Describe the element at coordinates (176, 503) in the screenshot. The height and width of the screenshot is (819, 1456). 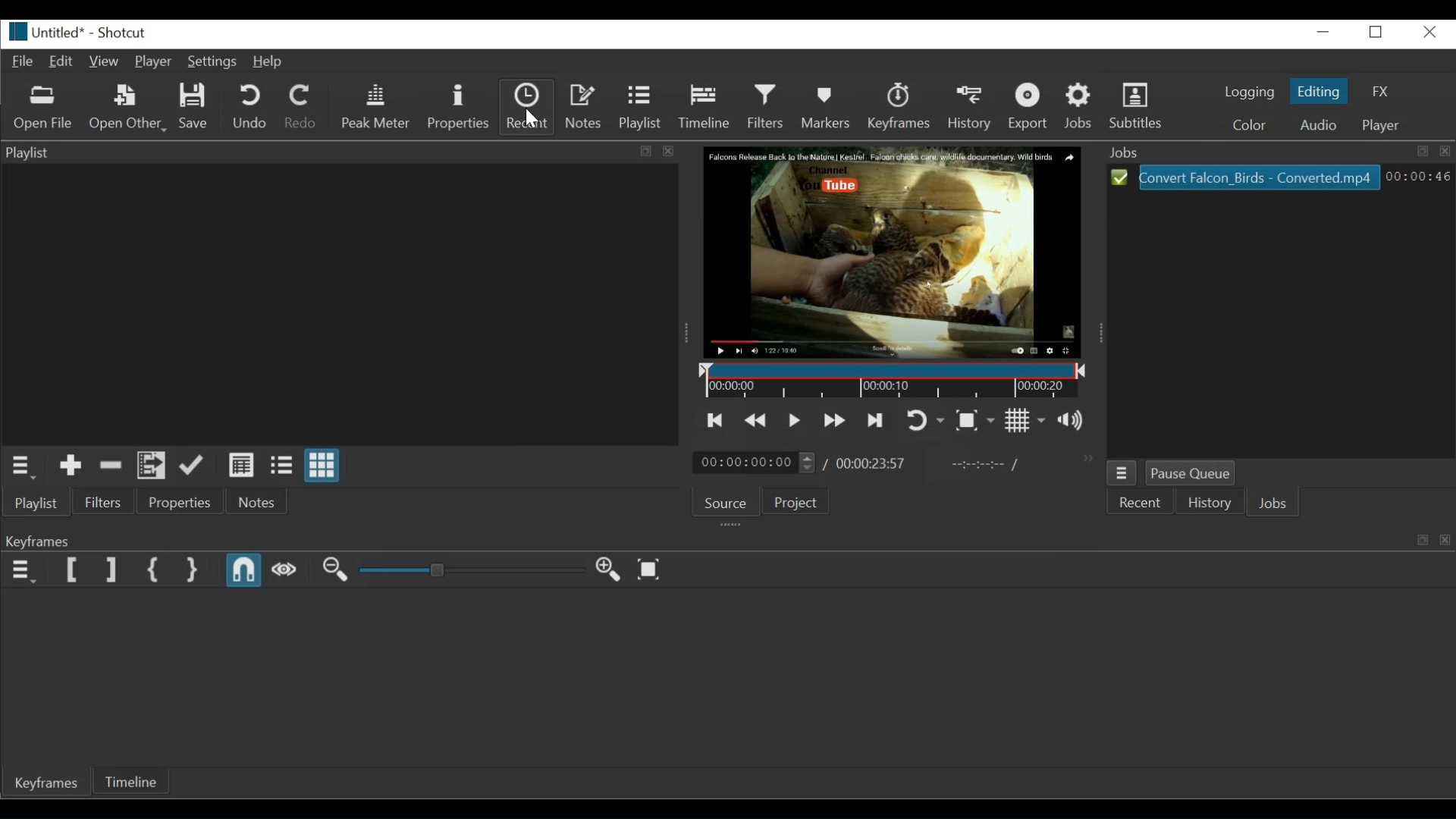
I see `Properties` at that location.